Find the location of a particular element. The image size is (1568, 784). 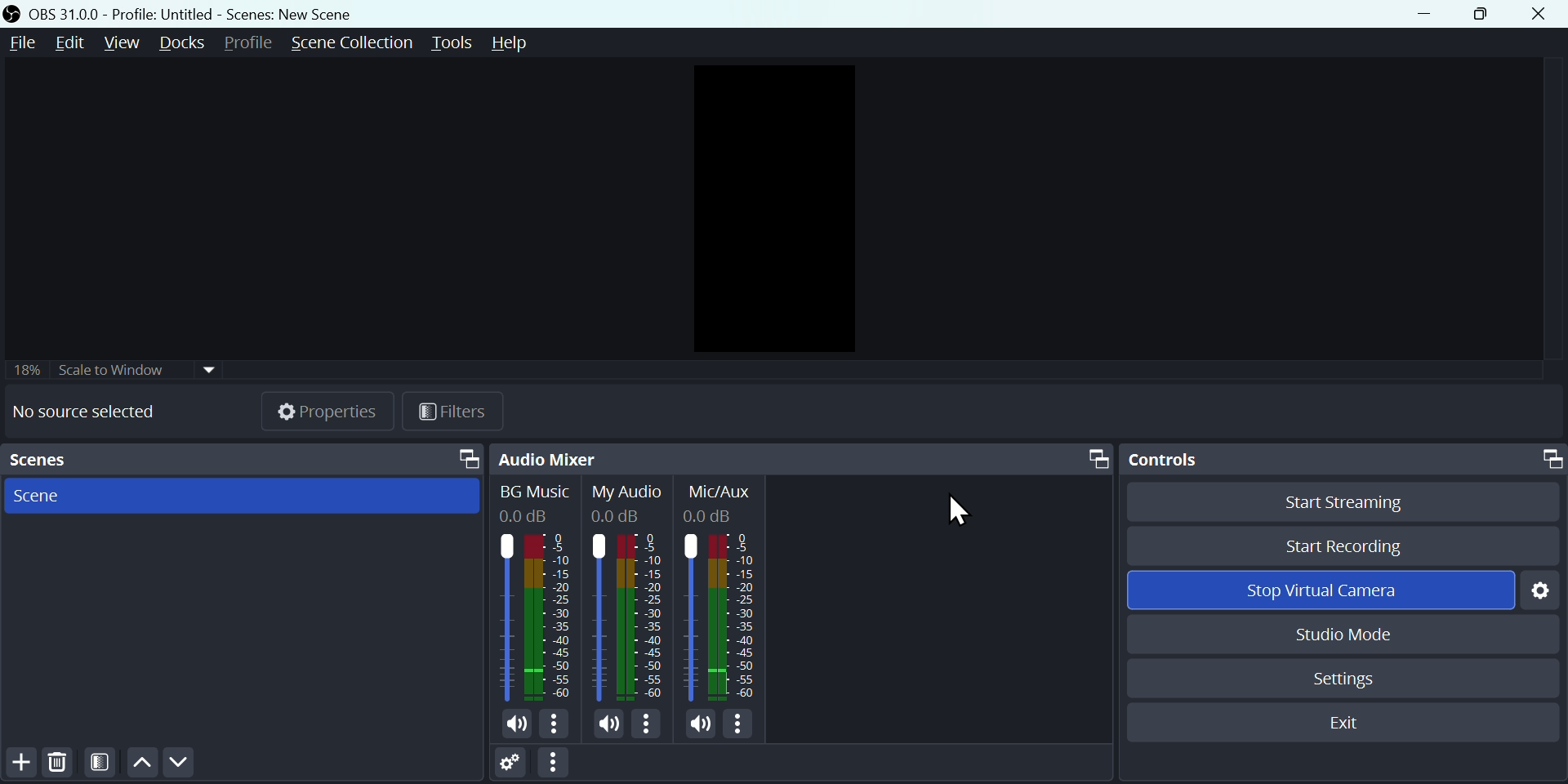

Docks is located at coordinates (184, 42).